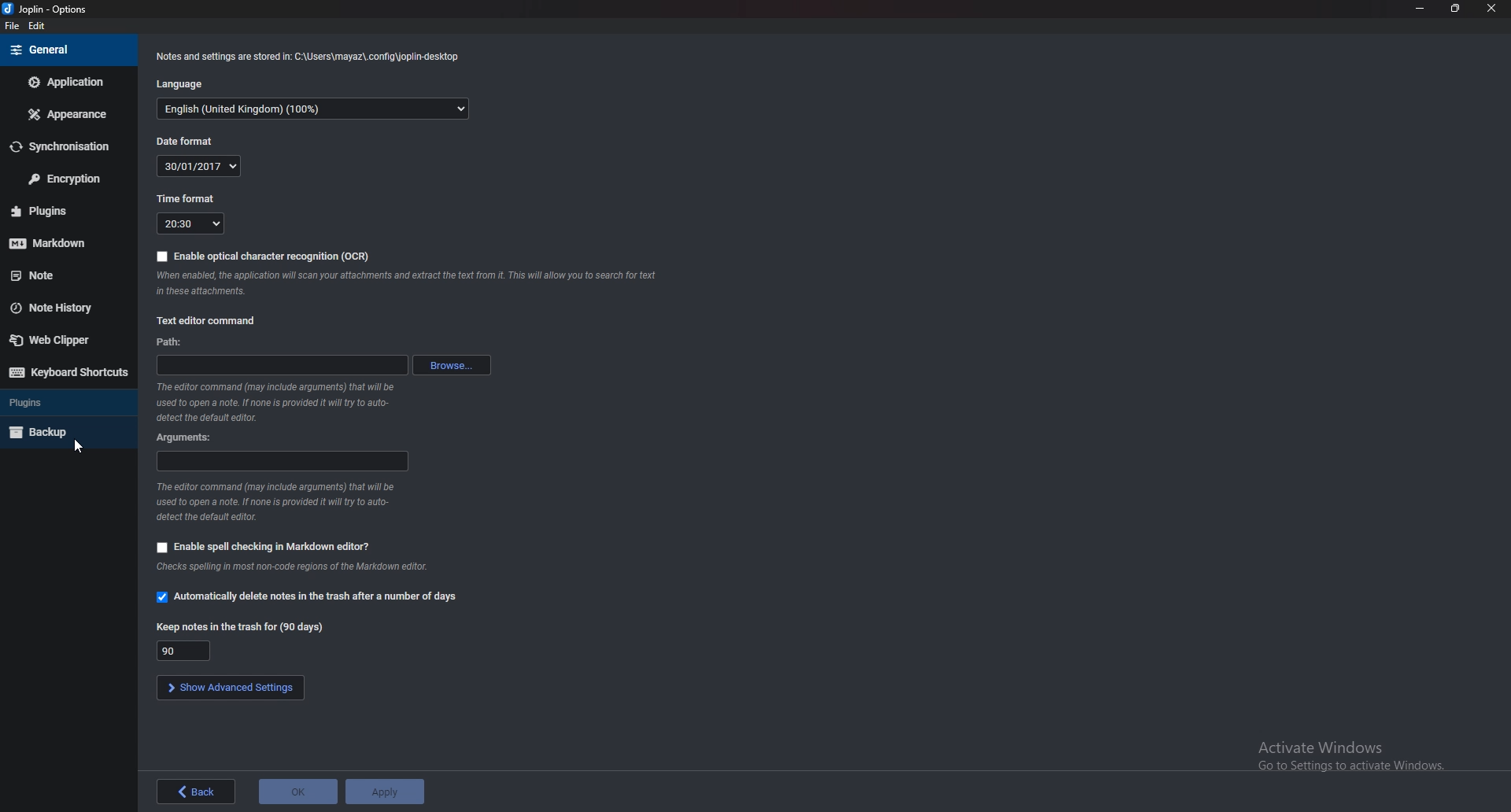 The width and height of the screenshot is (1511, 812). Describe the element at coordinates (298, 792) in the screenshot. I see `ok` at that location.